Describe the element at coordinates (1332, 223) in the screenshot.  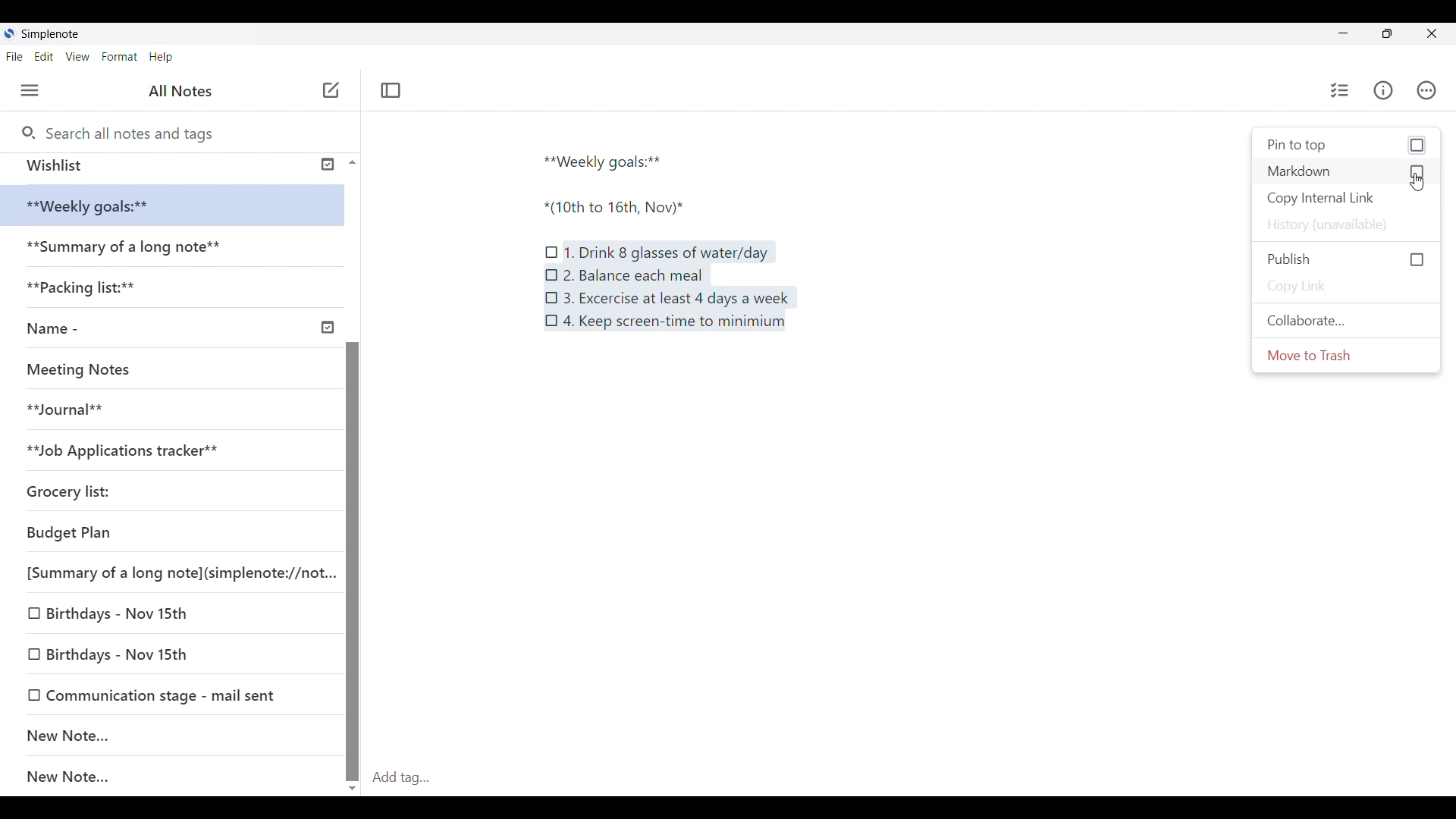
I see `History (unavailable)` at that location.